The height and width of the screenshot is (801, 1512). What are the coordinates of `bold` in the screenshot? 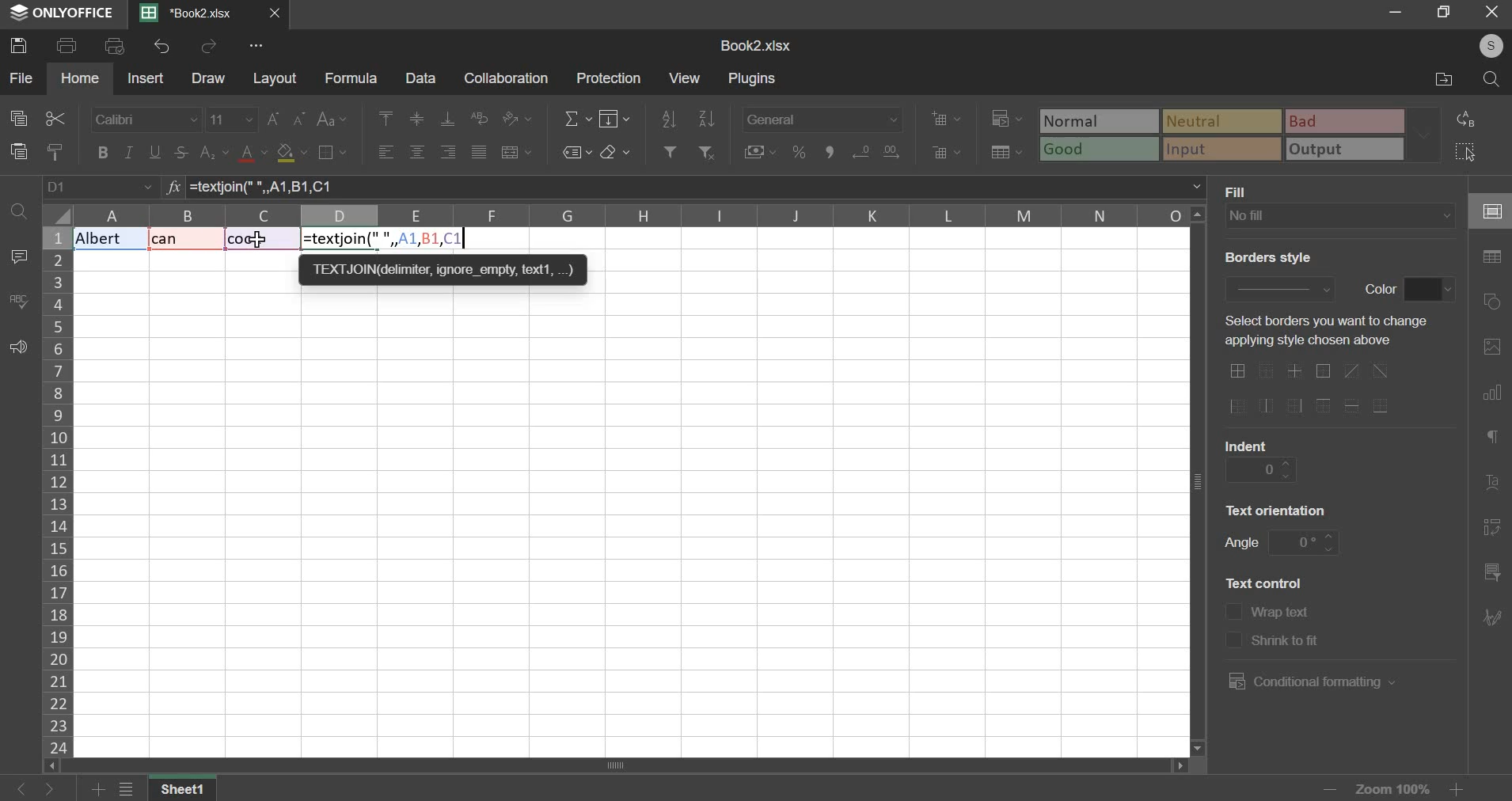 It's located at (101, 152).